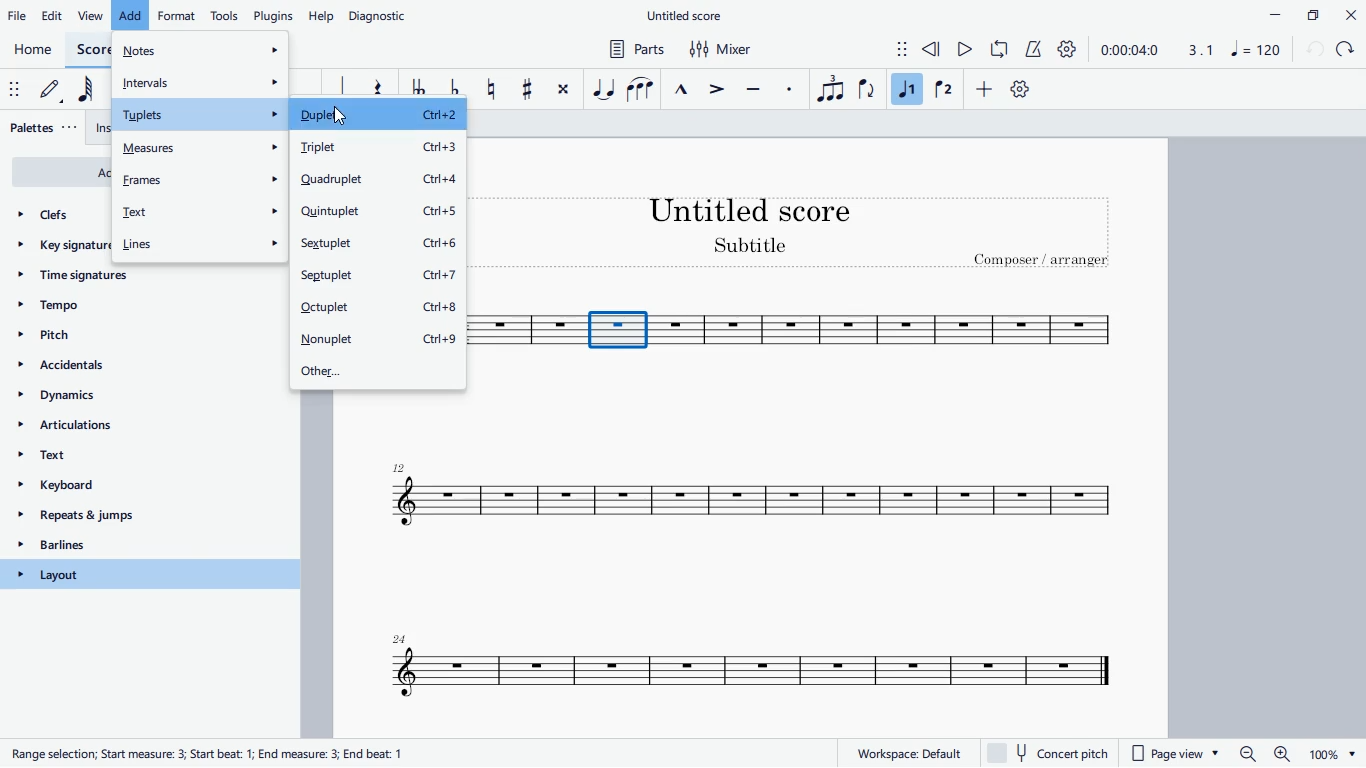  Describe the element at coordinates (528, 91) in the screenshot. I see `toggle sharp` at that location.